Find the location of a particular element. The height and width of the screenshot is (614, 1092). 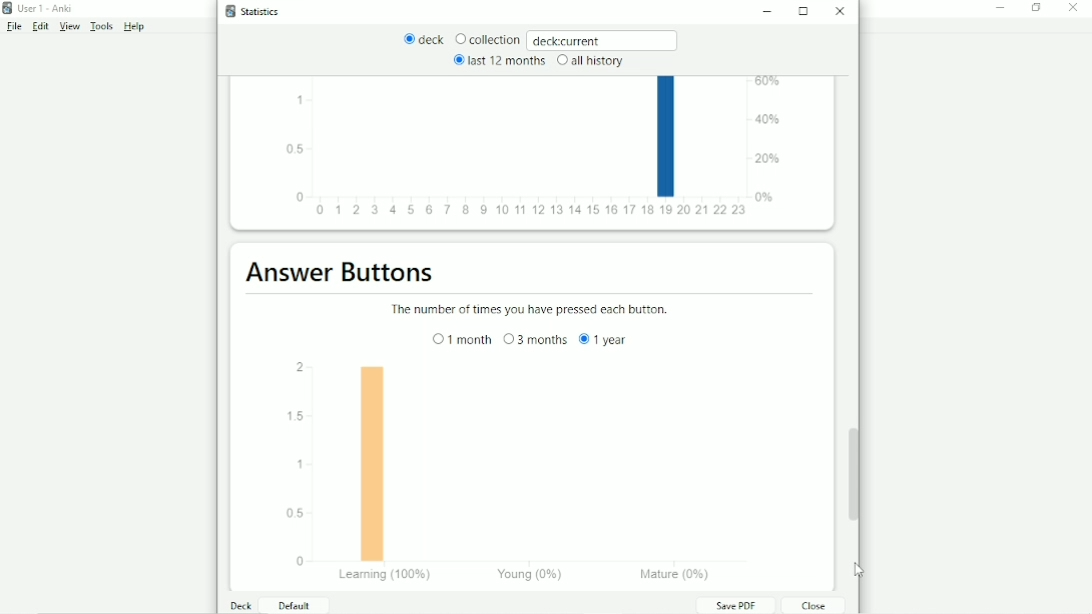

File is located at coordinates (13, 27).